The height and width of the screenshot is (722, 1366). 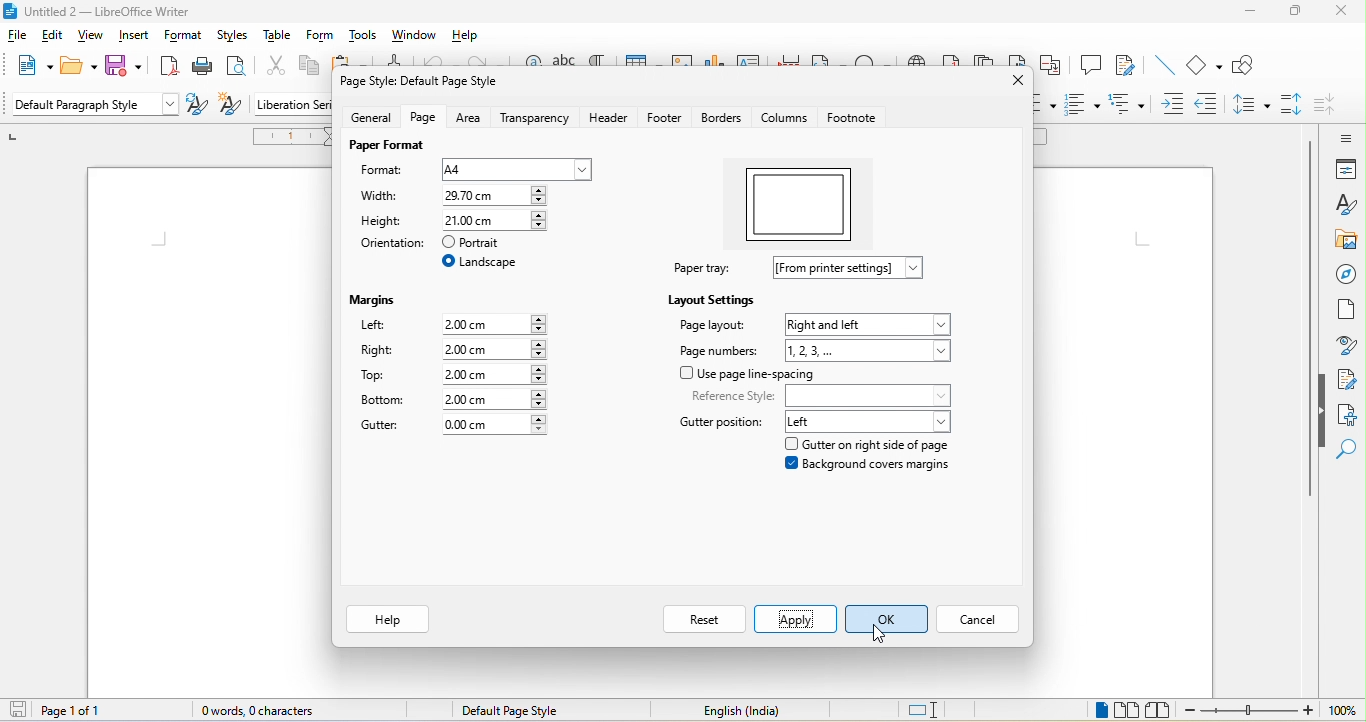 I want to click on 1,2,3, so click(x=872, y=350).